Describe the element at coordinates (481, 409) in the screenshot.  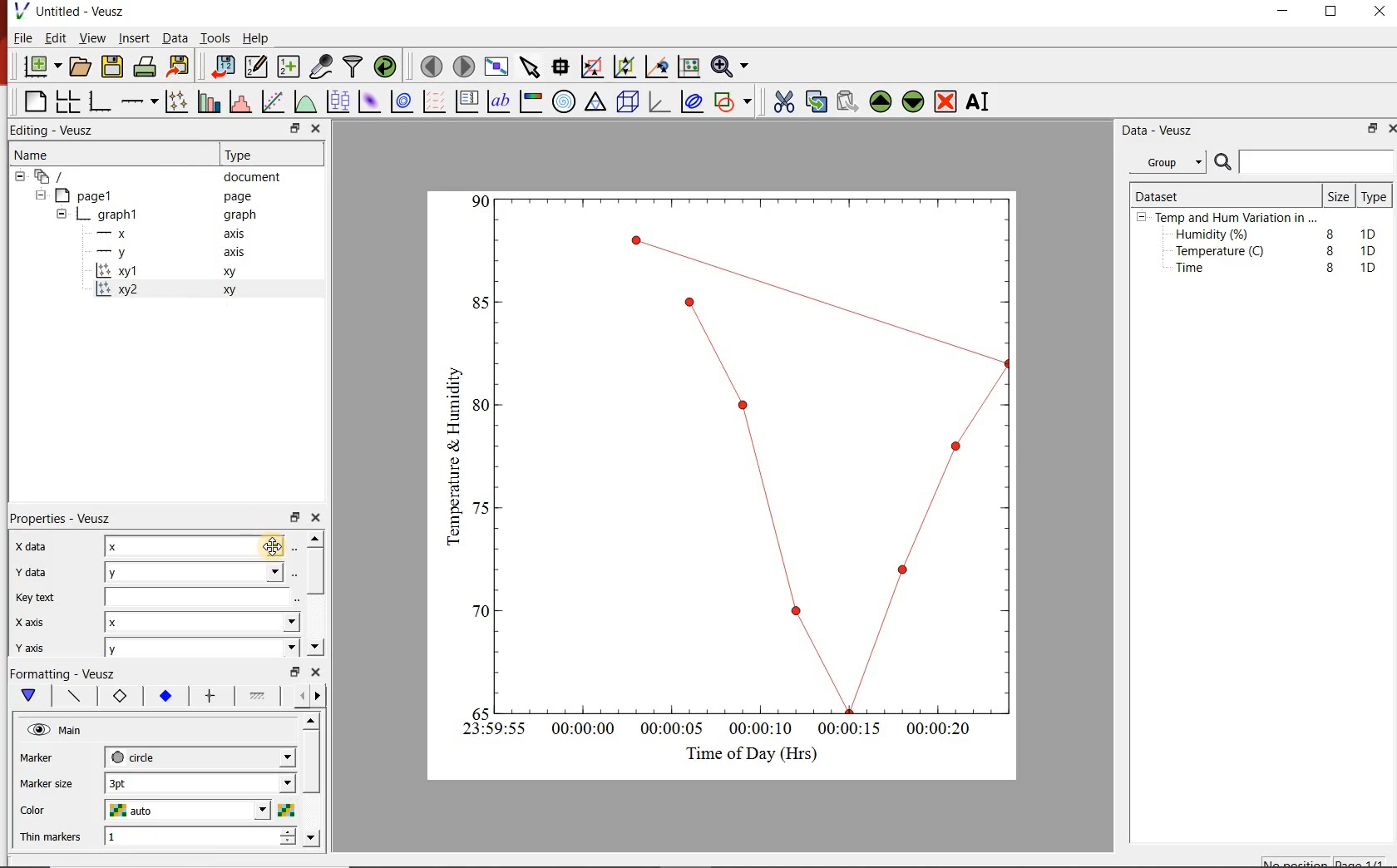
I see `0.6` at that location.